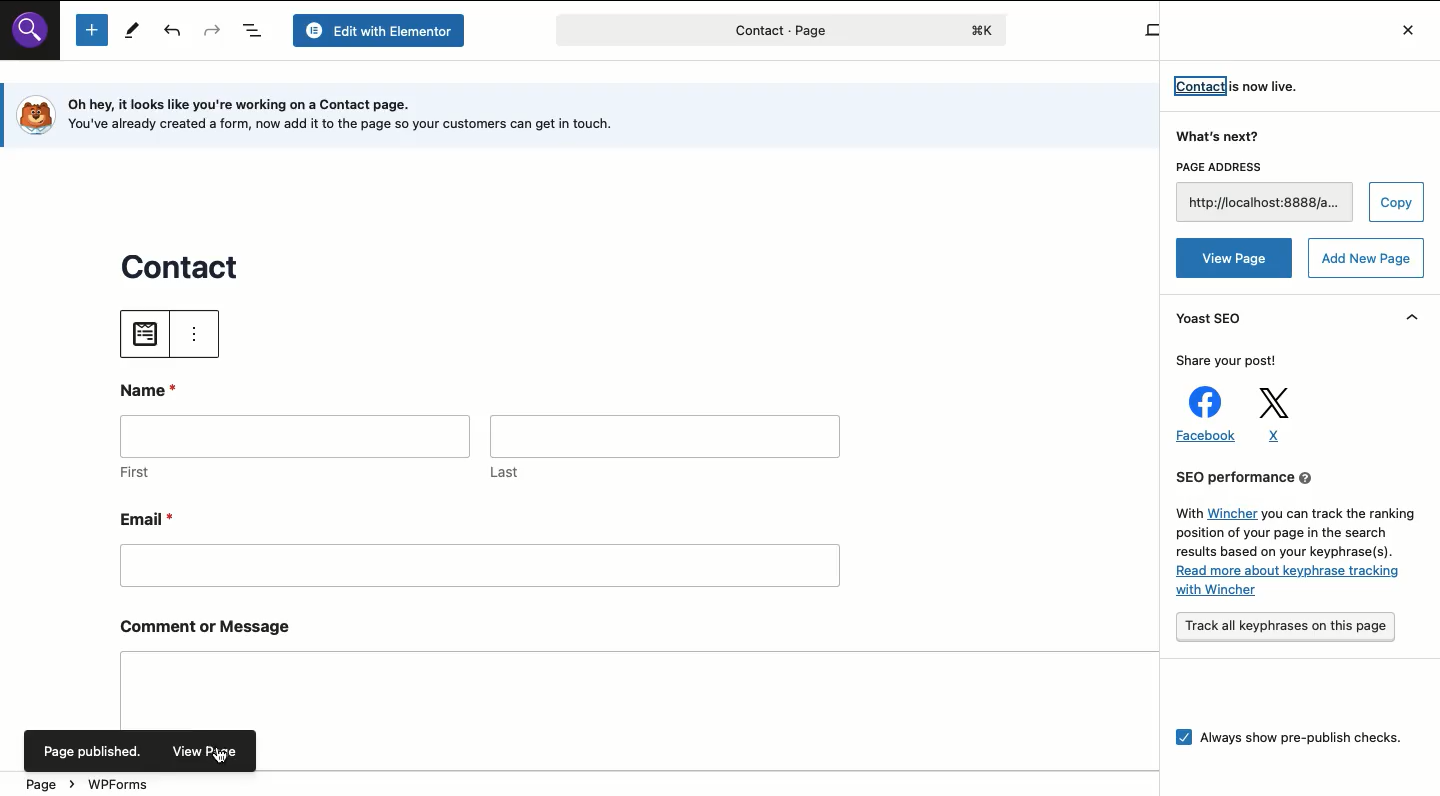  I want to click on cursor, so click(223, 757).